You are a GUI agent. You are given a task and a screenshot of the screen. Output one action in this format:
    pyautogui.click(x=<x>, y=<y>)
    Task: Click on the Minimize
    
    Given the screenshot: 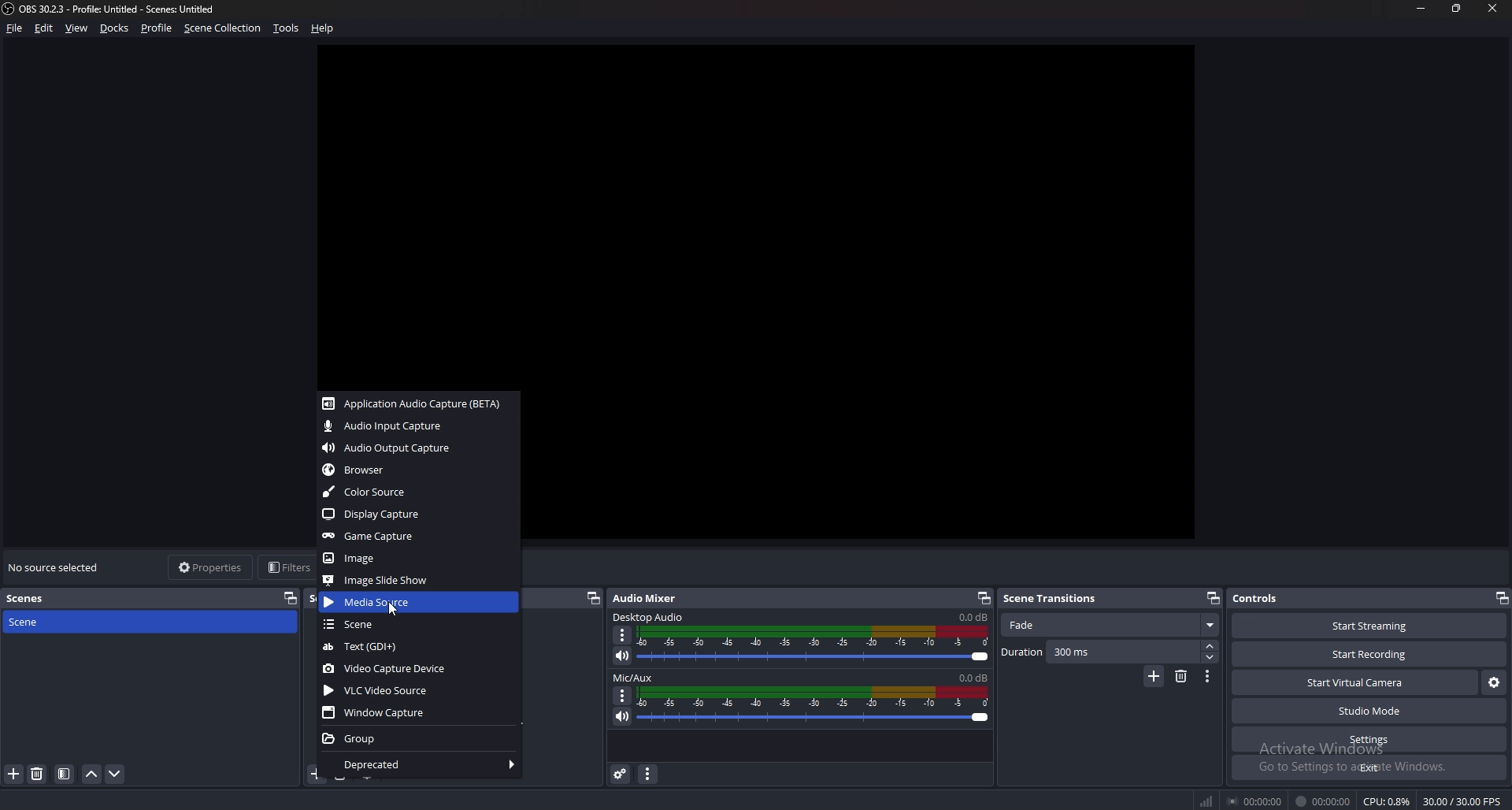 What is the action you would take?
    pyautogui.click(x=1420, y=8)
    